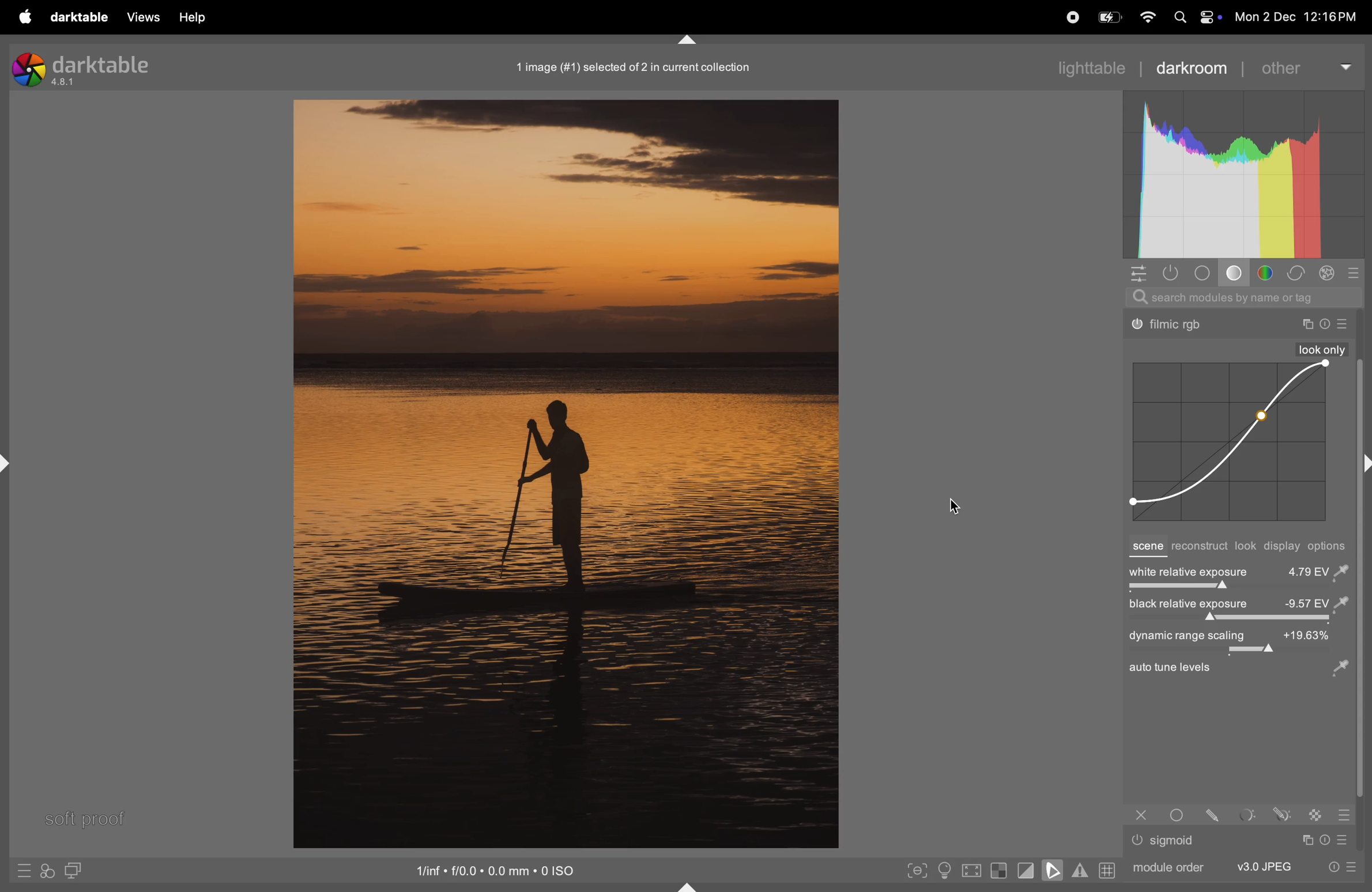 The height and width of the screenshot is (892, 1372). Describe the element at coordinates (1180, 814) in the screenshot. I see `` at that location.